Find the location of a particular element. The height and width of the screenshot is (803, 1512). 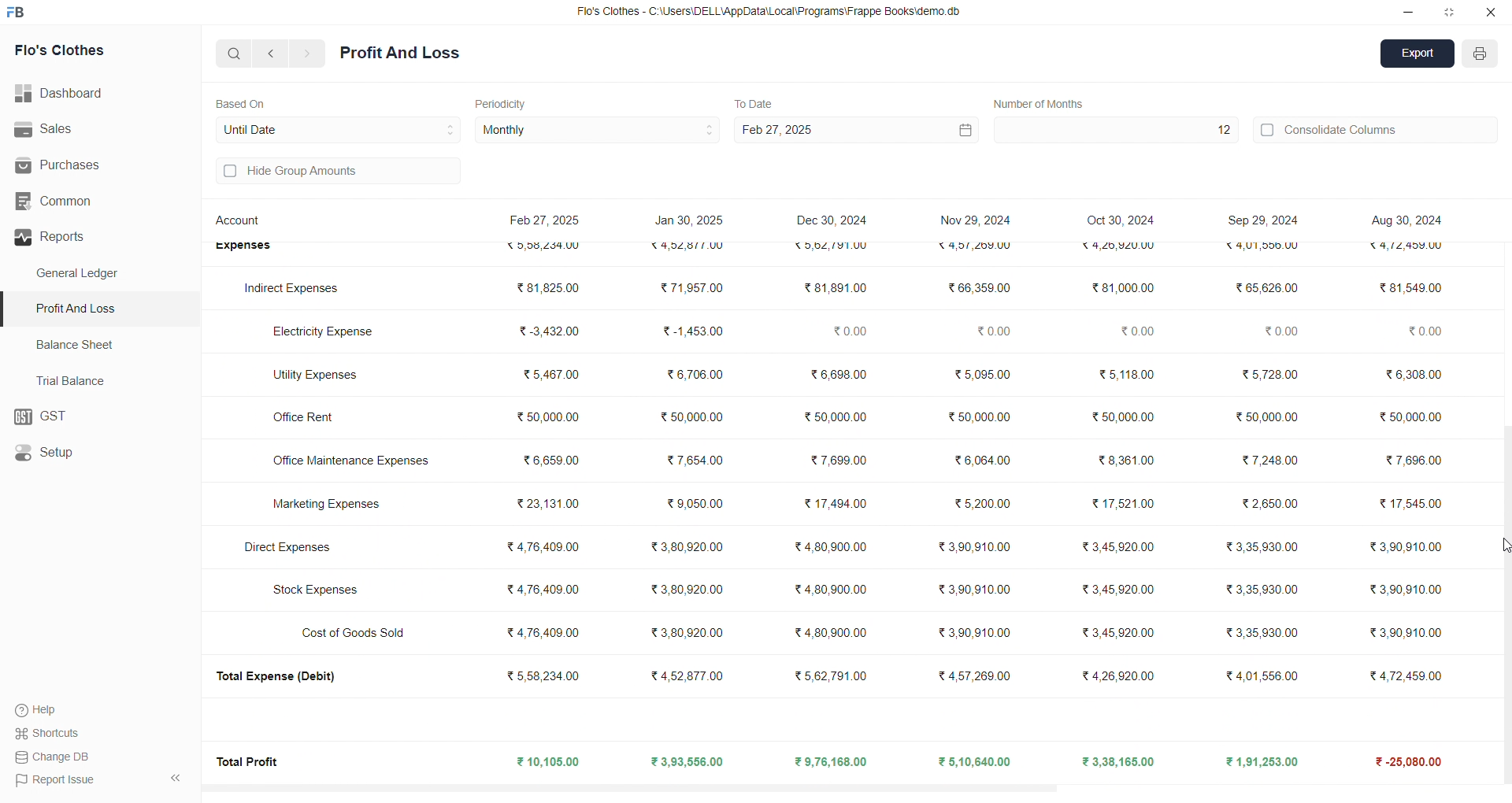

₹ 4,76,409.00 is located at coordinates (547, 634).